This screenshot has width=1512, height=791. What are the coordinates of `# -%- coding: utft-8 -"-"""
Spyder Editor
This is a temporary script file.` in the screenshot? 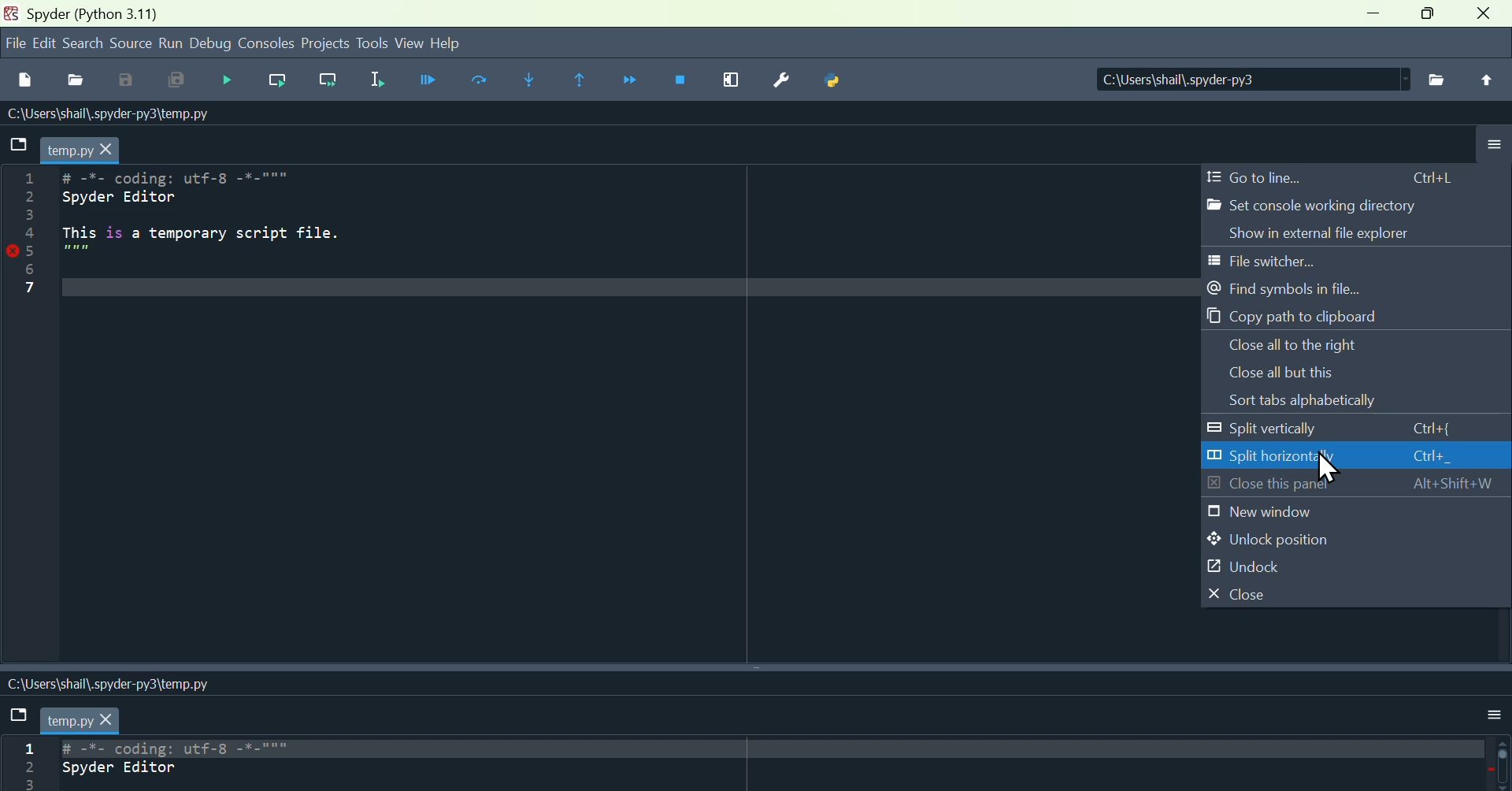 It's located at (215, 228).